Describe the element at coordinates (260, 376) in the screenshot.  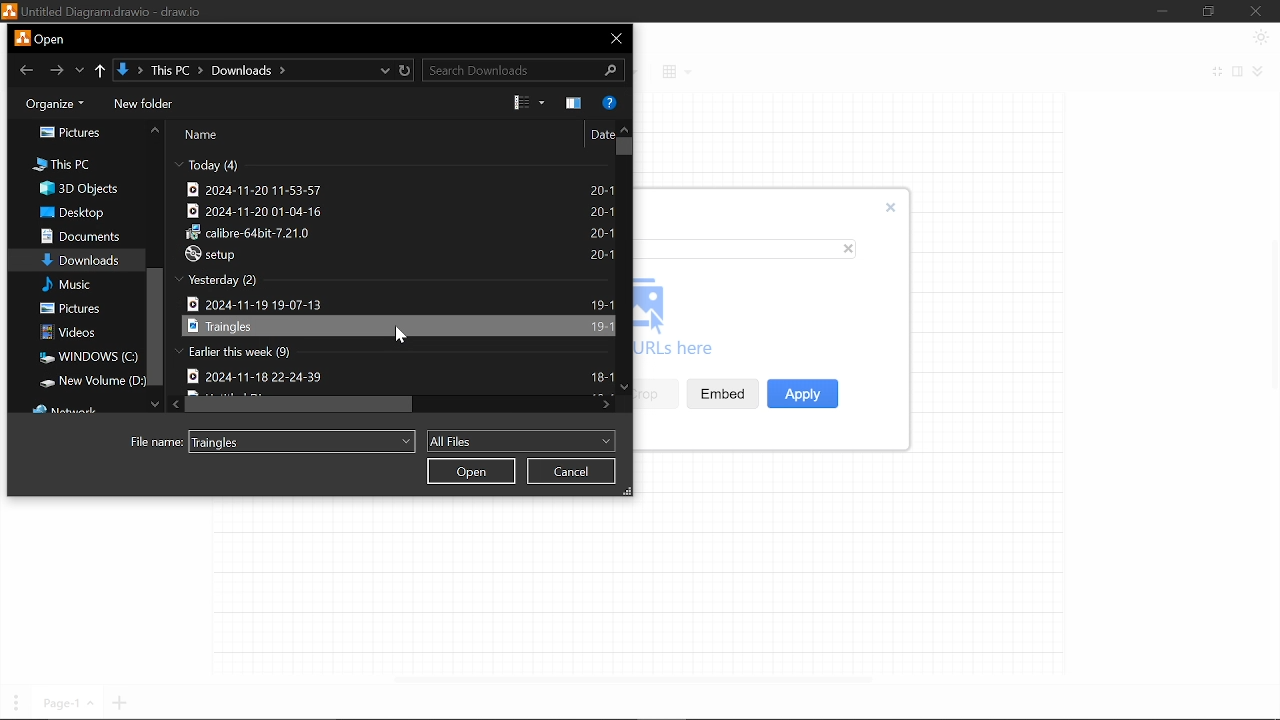
I see `2024-11-18 22-24-39` at that location.